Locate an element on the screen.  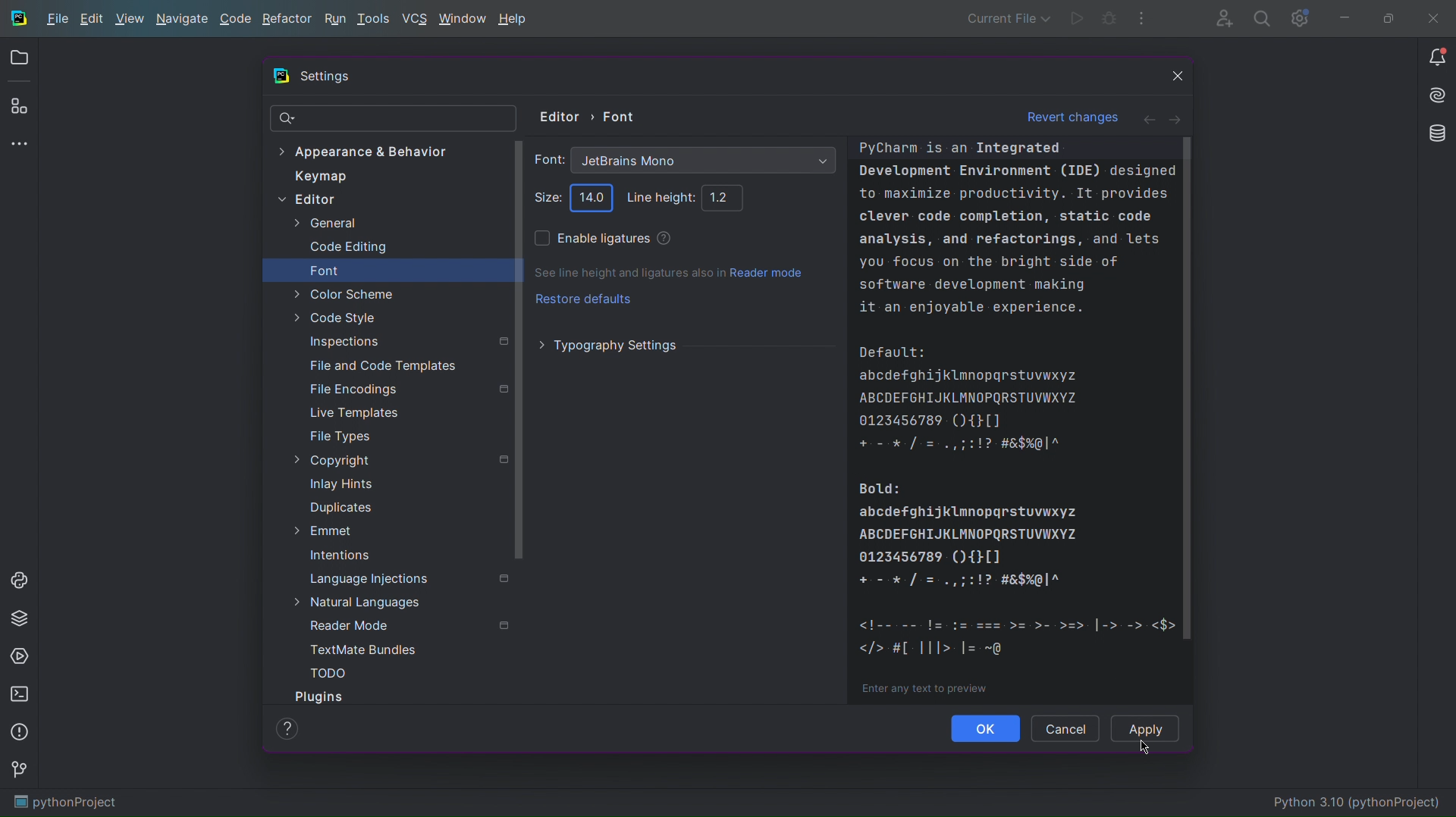
Plugins is located at coordinates (20, 108).